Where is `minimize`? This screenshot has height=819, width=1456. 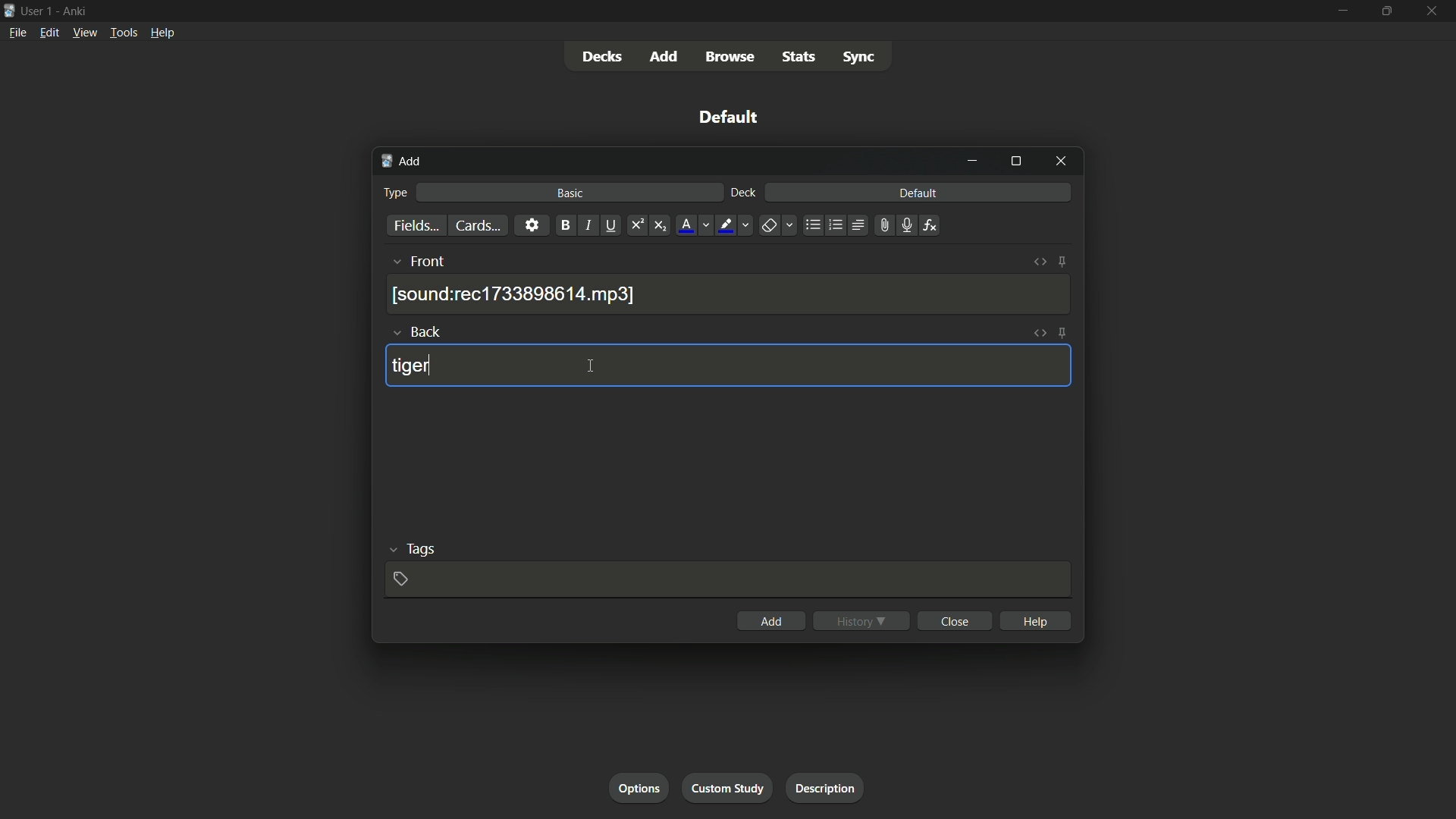
minimize is located at coordinates (1341, 11).